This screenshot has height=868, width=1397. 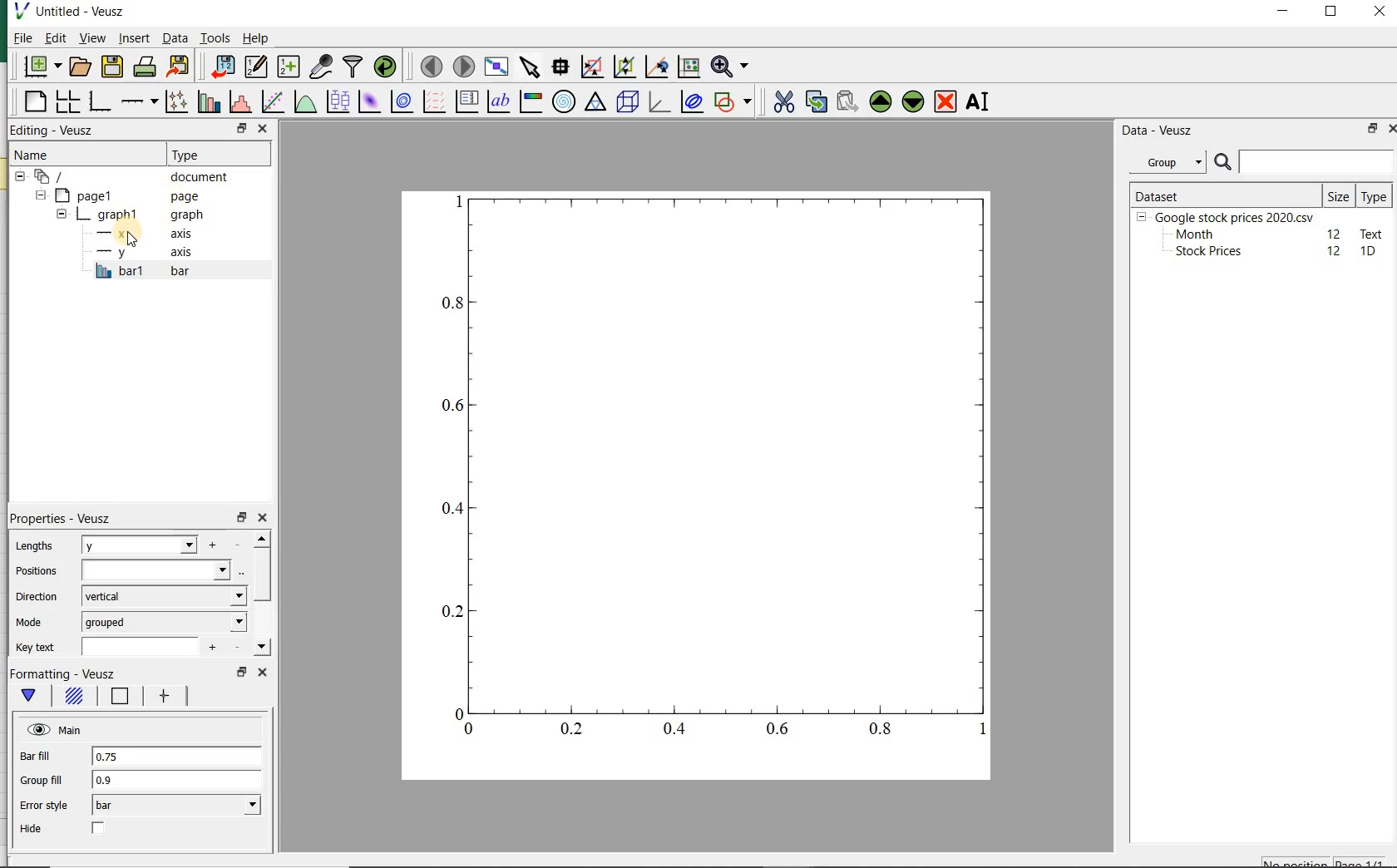 What do you see at coordinates (26, 696) in the screenshot?
I see `main formatting` at bounding box center [26, 696].